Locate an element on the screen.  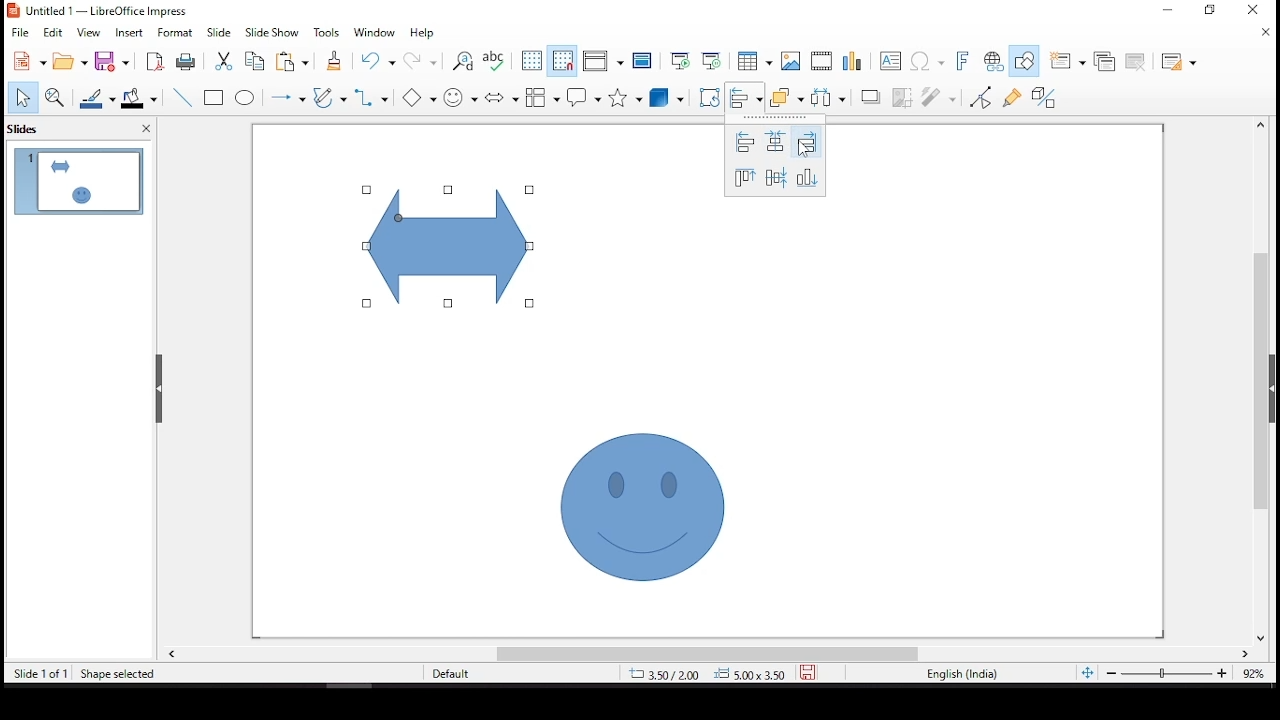
start from current slide is located at coordinates (708, 62).